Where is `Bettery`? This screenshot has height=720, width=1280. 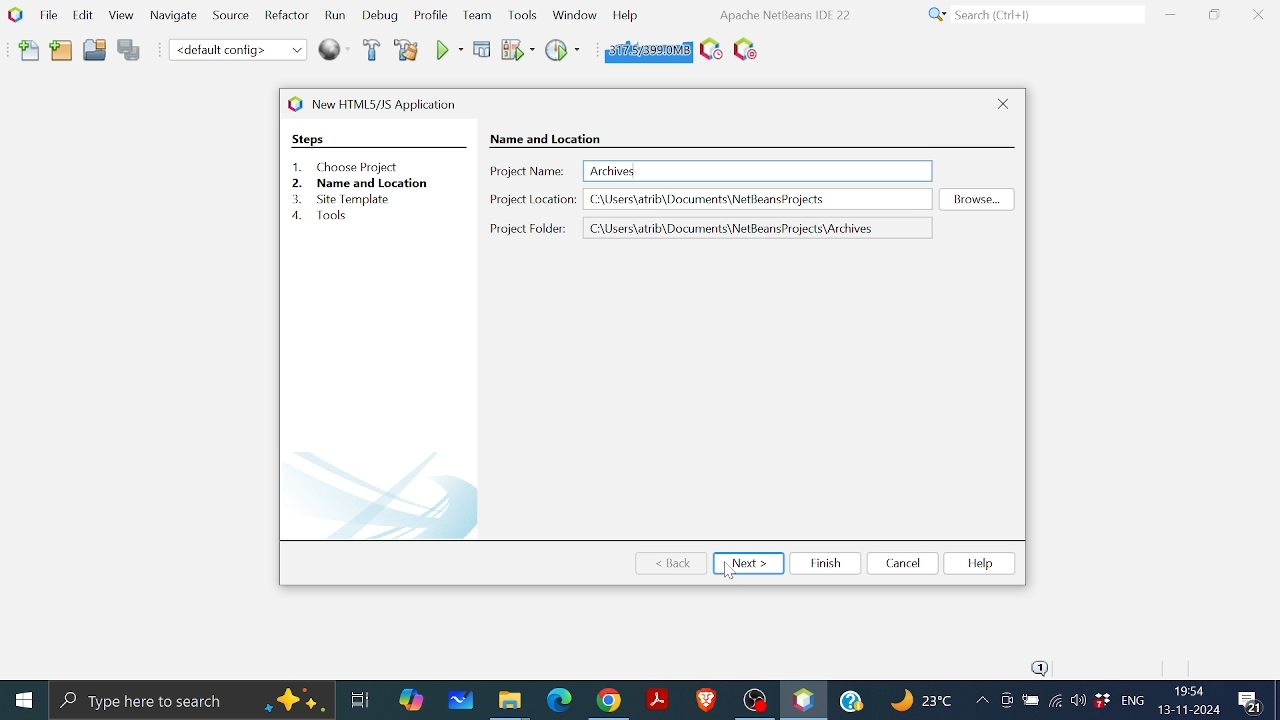
Bettery is located at coordinates (1030, 701).